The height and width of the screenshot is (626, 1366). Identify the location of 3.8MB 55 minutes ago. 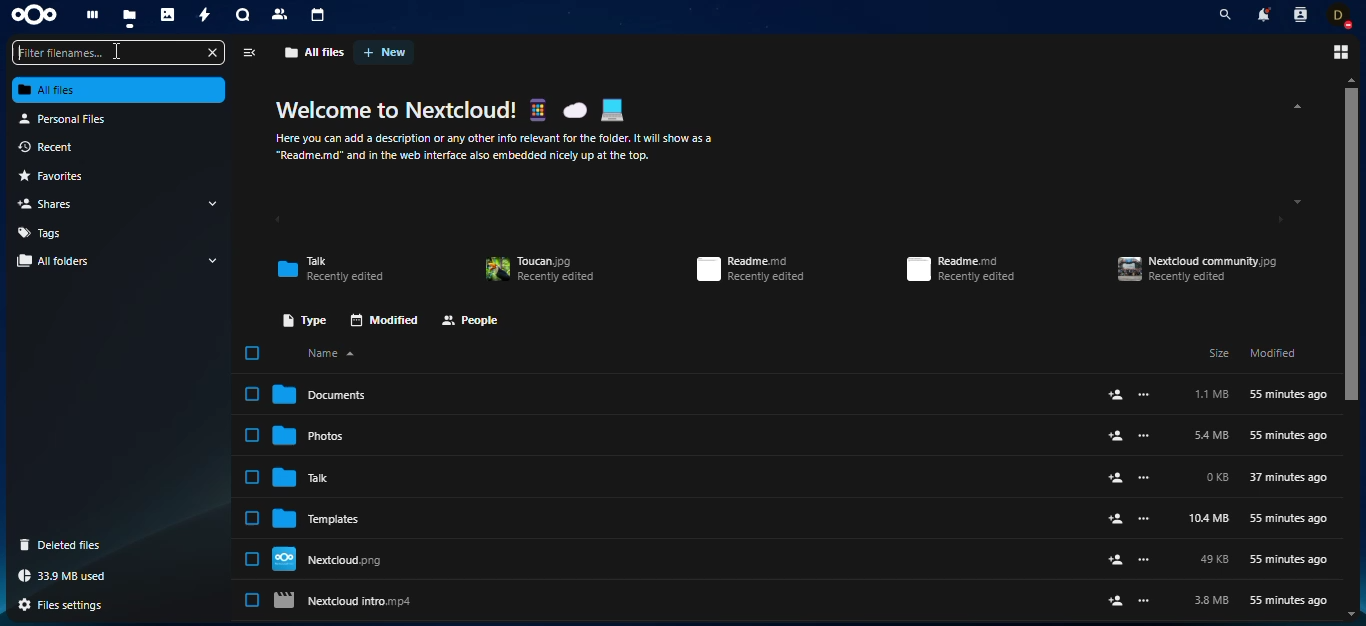
(1262, 601).